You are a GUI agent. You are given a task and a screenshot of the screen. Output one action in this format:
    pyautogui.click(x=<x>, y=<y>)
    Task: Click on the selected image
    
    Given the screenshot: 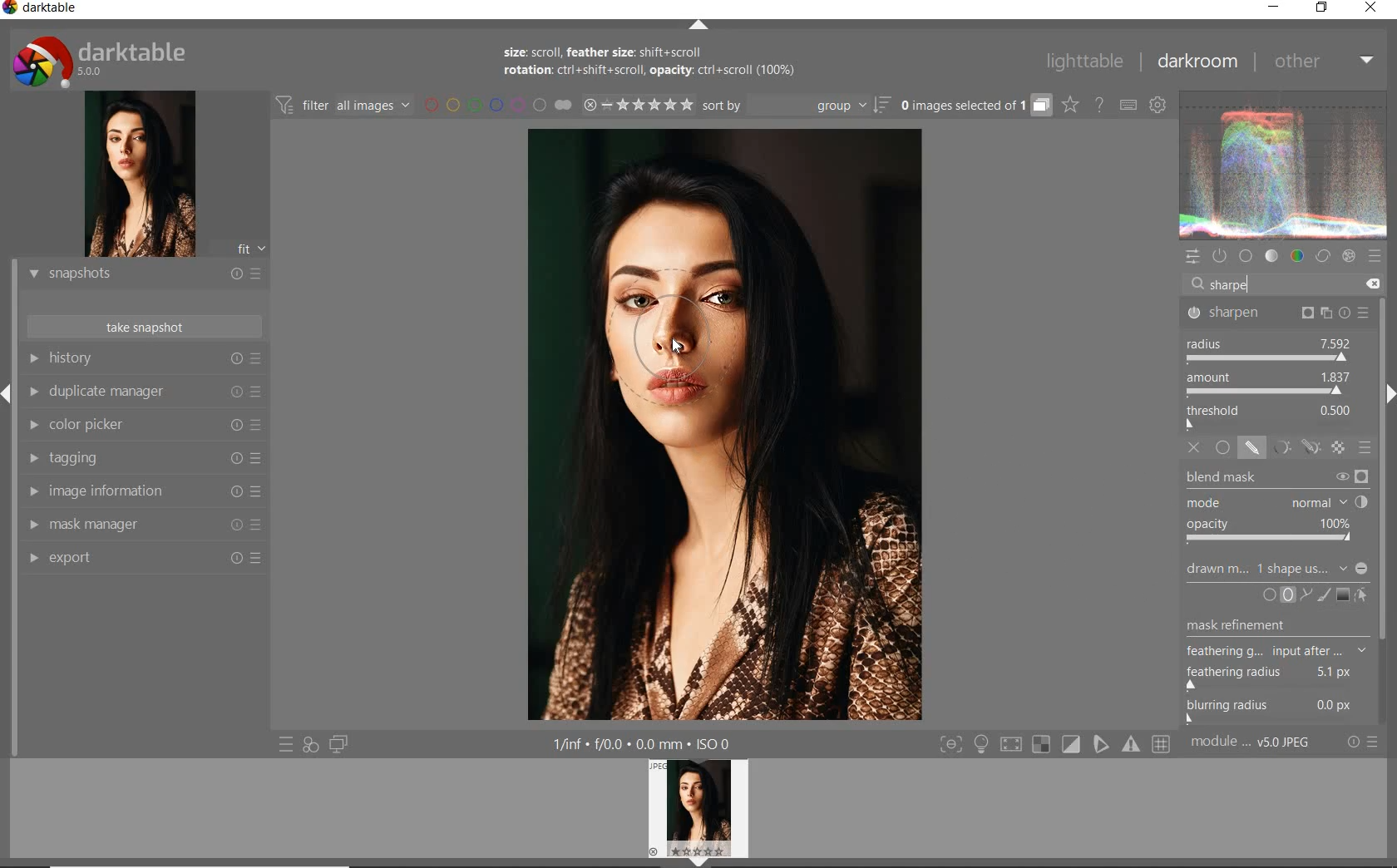 What is the action you would take?
    pyautogui.click(x=722, y=427)
    